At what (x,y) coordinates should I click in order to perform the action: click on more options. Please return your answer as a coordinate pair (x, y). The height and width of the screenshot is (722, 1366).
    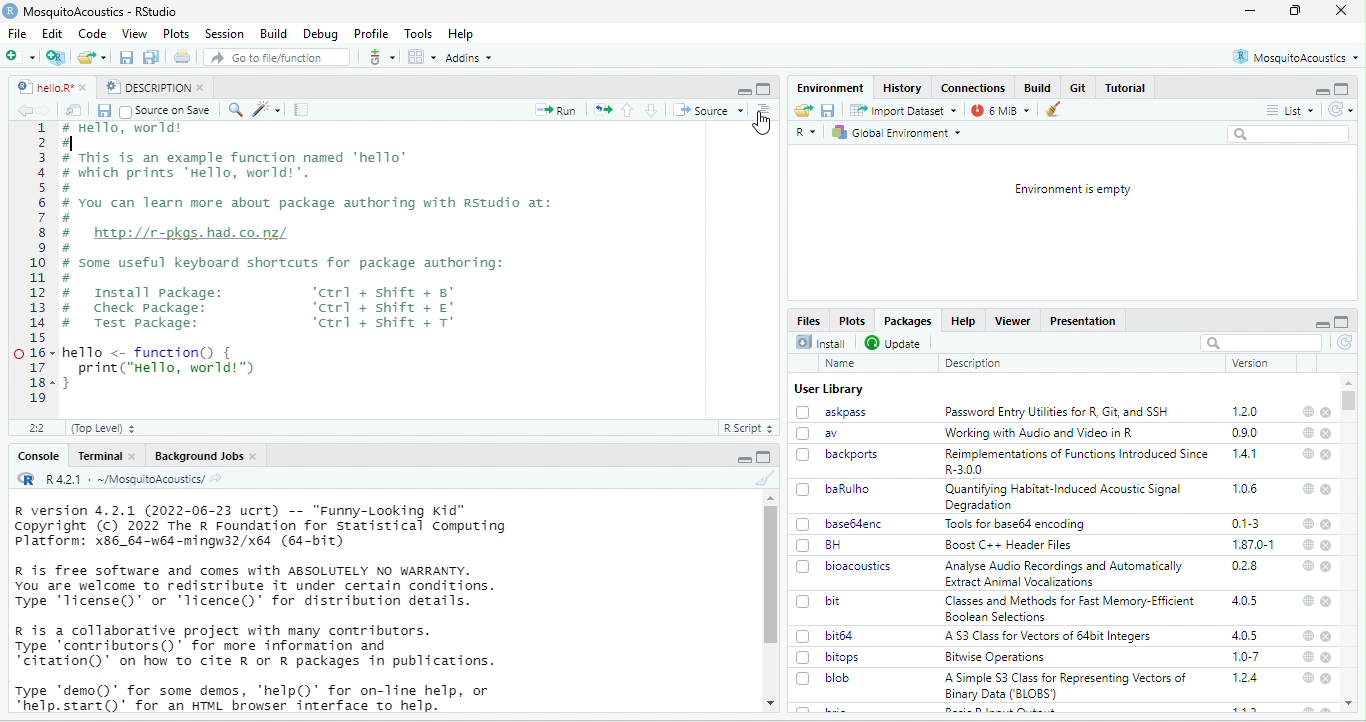
    Looking at the image, I should click on (381, 56).